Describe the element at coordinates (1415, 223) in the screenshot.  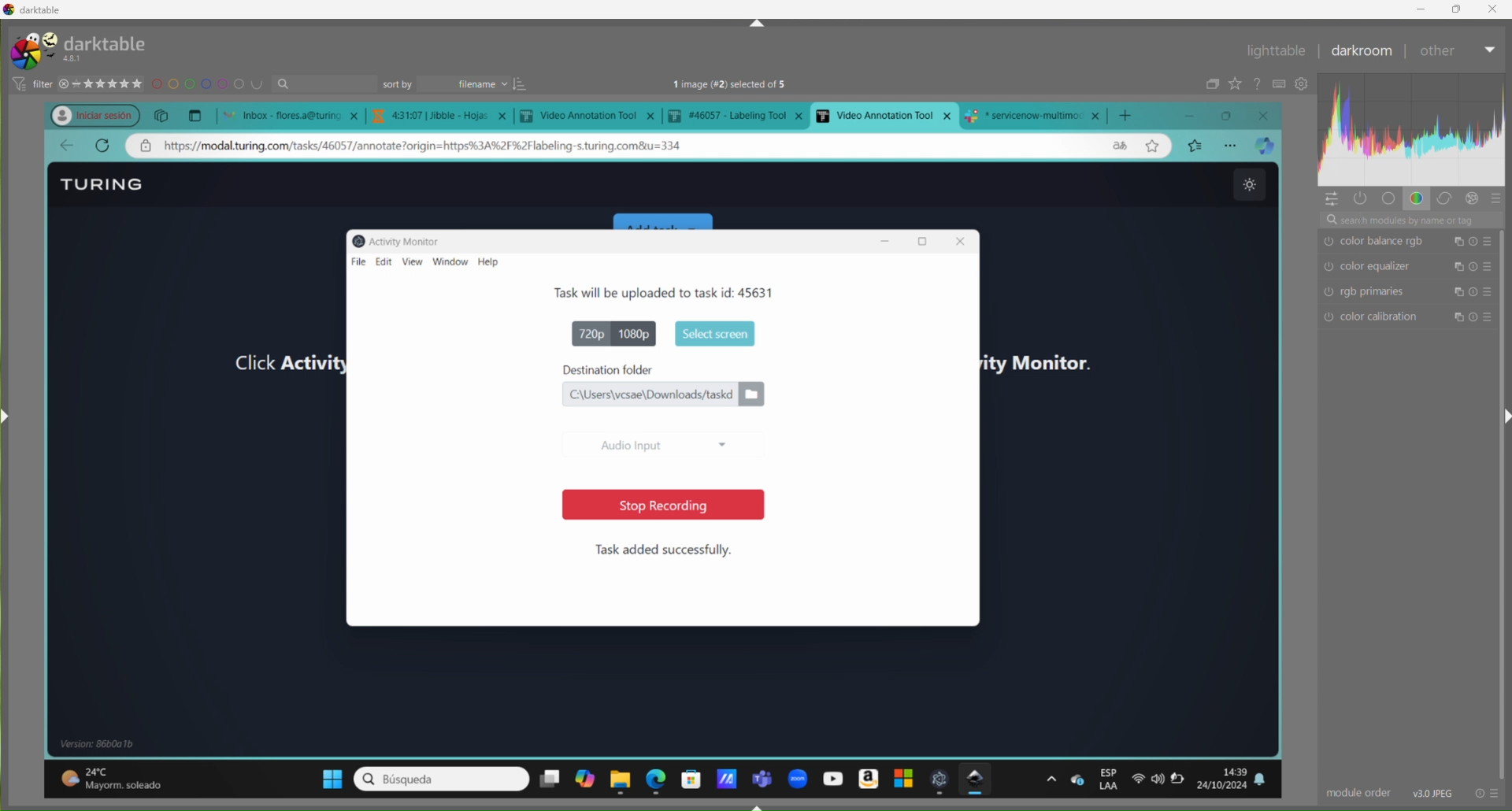
I see `search` at that location.